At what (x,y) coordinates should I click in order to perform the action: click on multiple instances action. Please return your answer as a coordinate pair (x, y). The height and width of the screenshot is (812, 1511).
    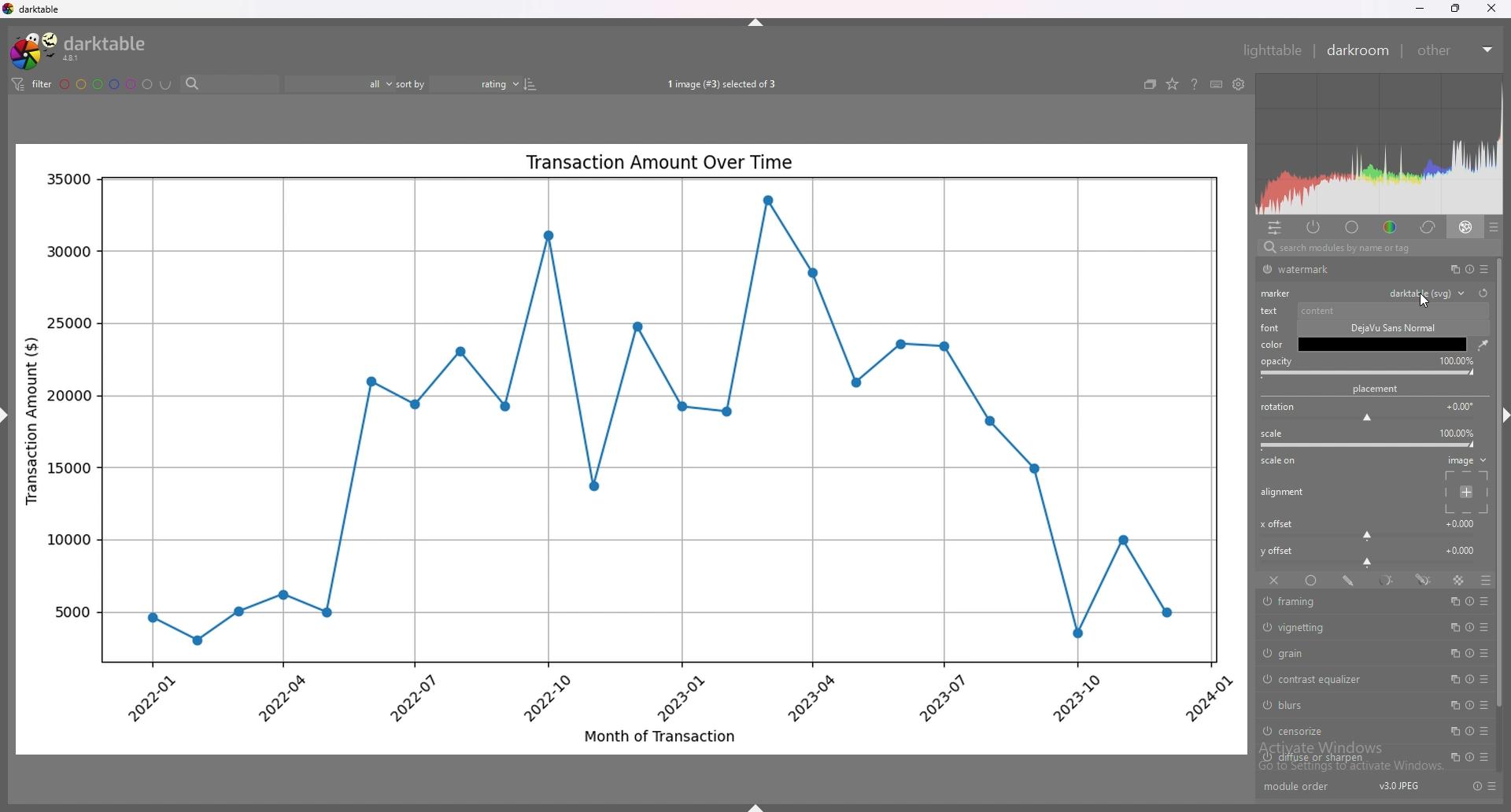
    Looking at the image, I should click on (1450, 731).